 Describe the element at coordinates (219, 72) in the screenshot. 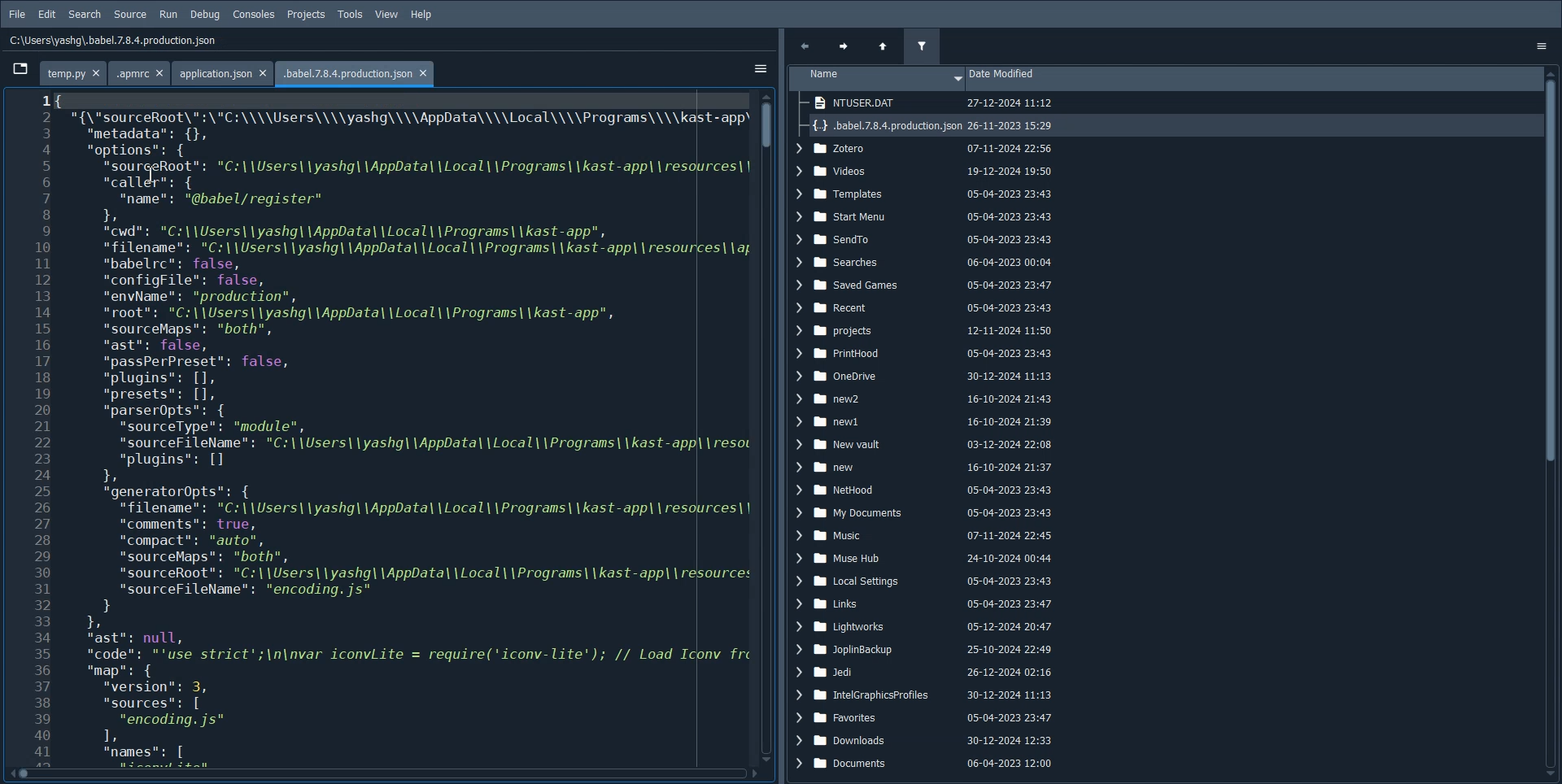

I see `application. json ` at that location.